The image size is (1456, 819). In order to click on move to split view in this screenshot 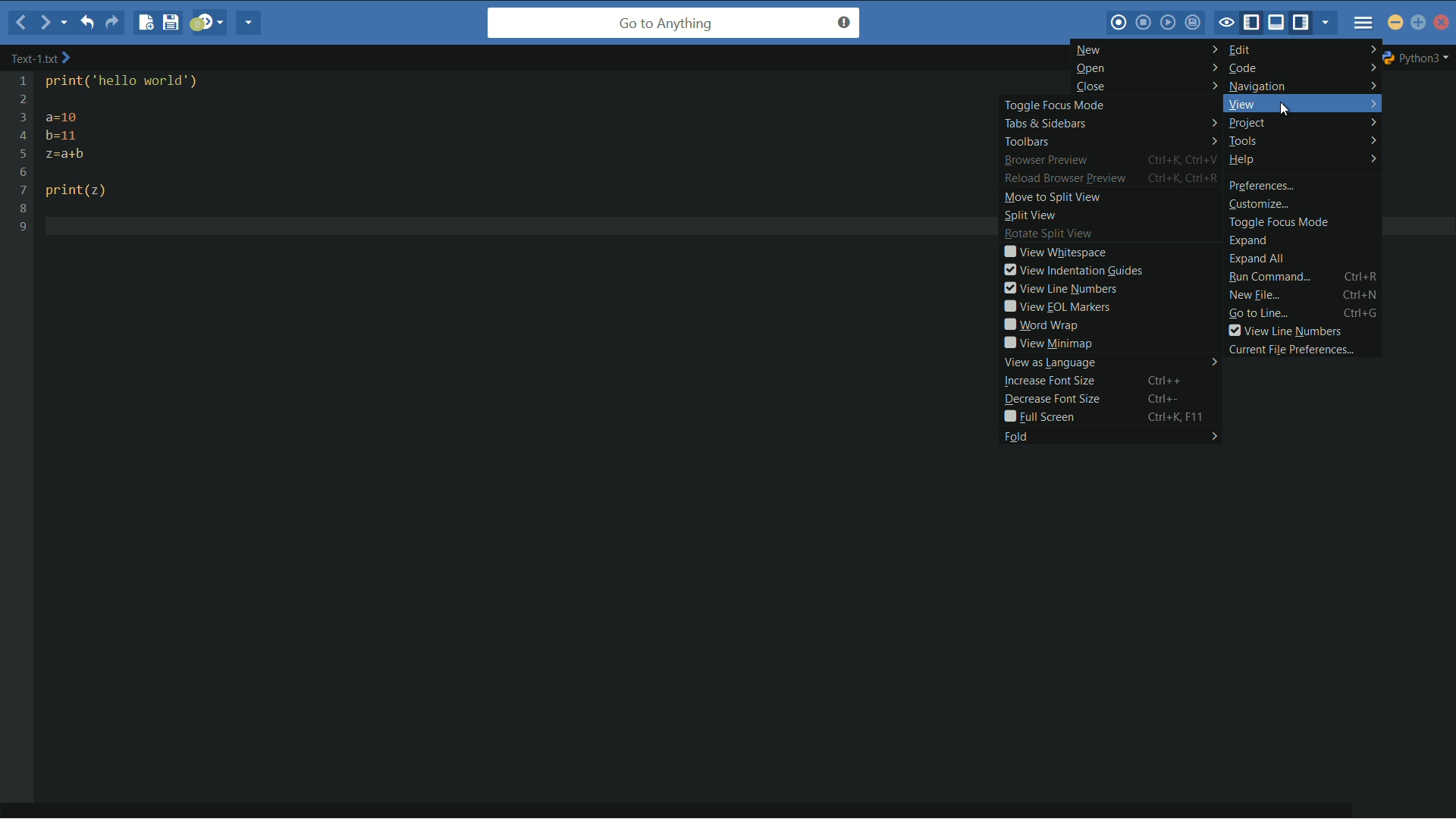, I will do `click(1050, 199)`.